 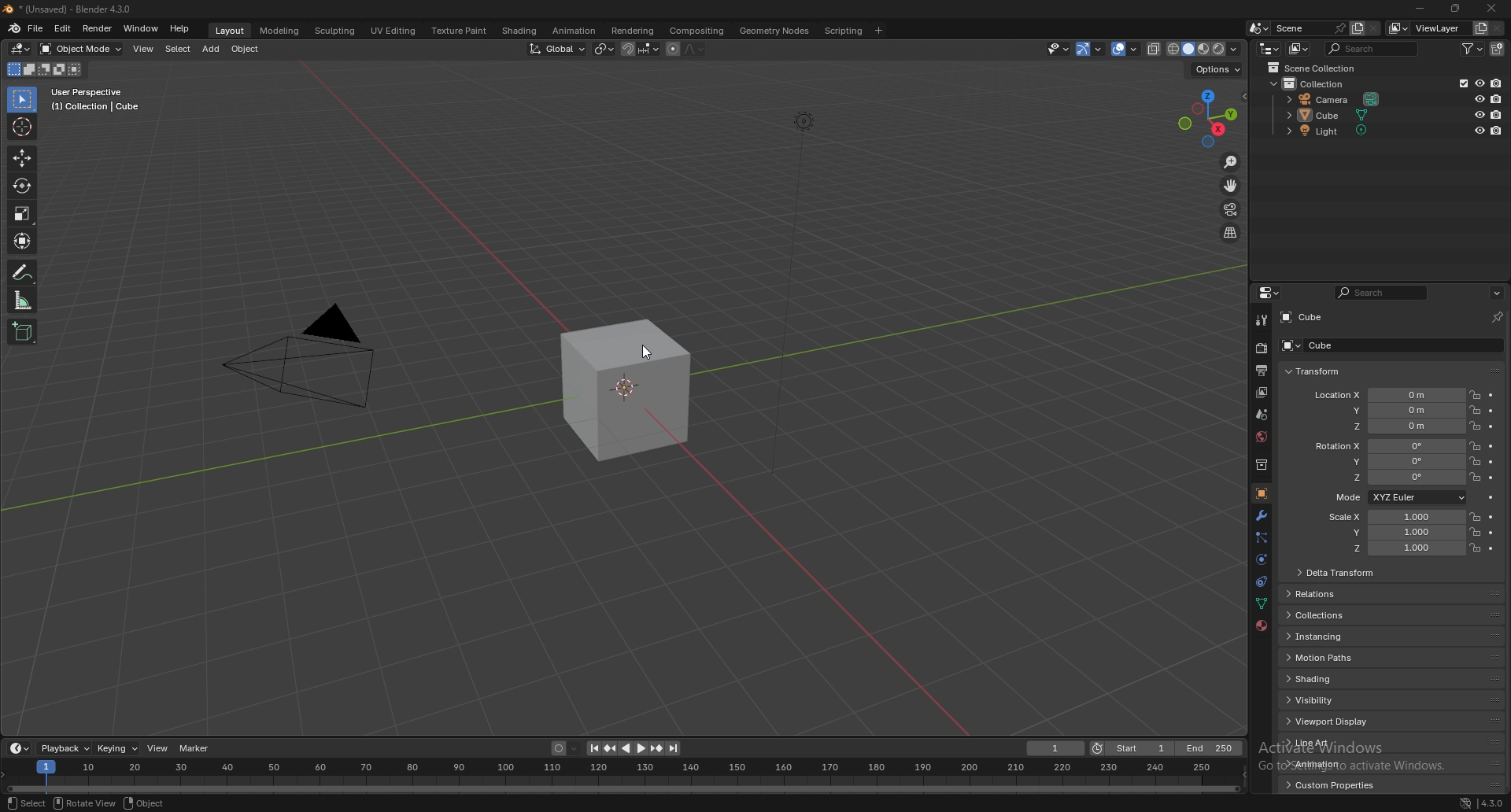 What do you see at coordinates (672, 50) in the screenshot?
I see `proportional editing objects` at bounding box center [672, 50].